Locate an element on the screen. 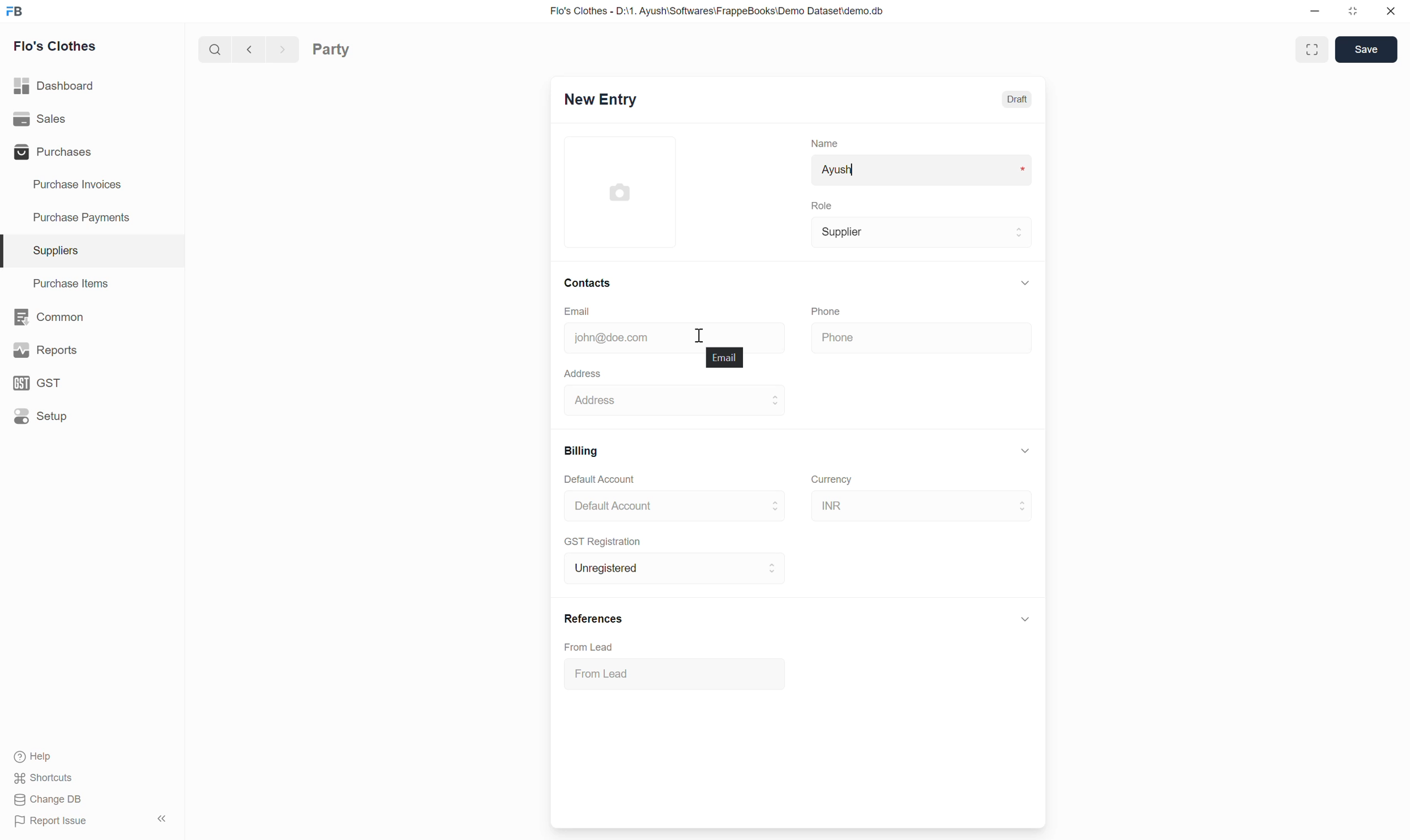 The height and width of the screenshot is (840, 1410). Purchase Items is located at coordinates (92, 284).